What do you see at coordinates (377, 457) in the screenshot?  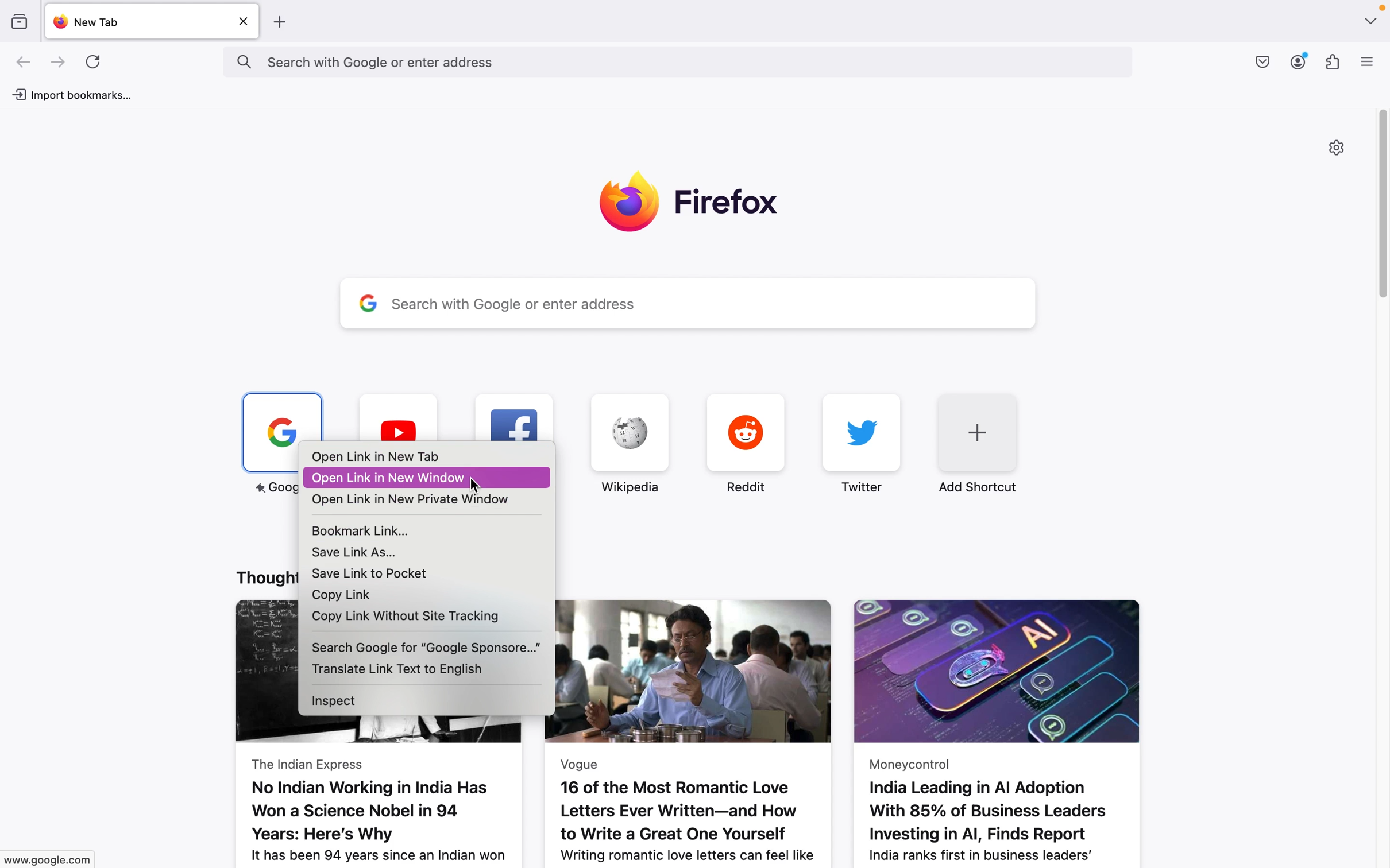 I see `open link in new tab` at bounding box center [377, 457].